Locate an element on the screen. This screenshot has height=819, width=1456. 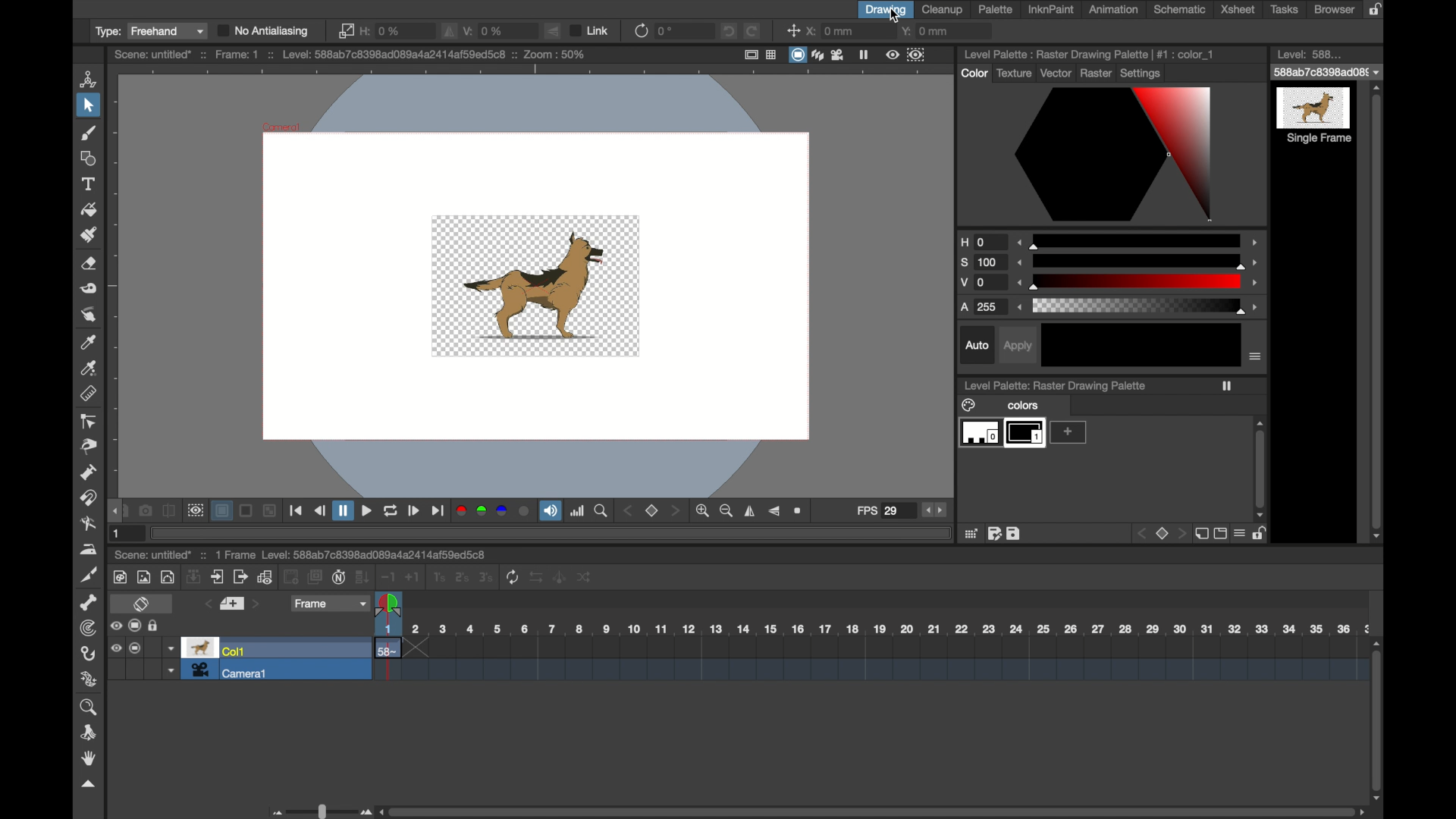
set is located at coordinates (652, 511).